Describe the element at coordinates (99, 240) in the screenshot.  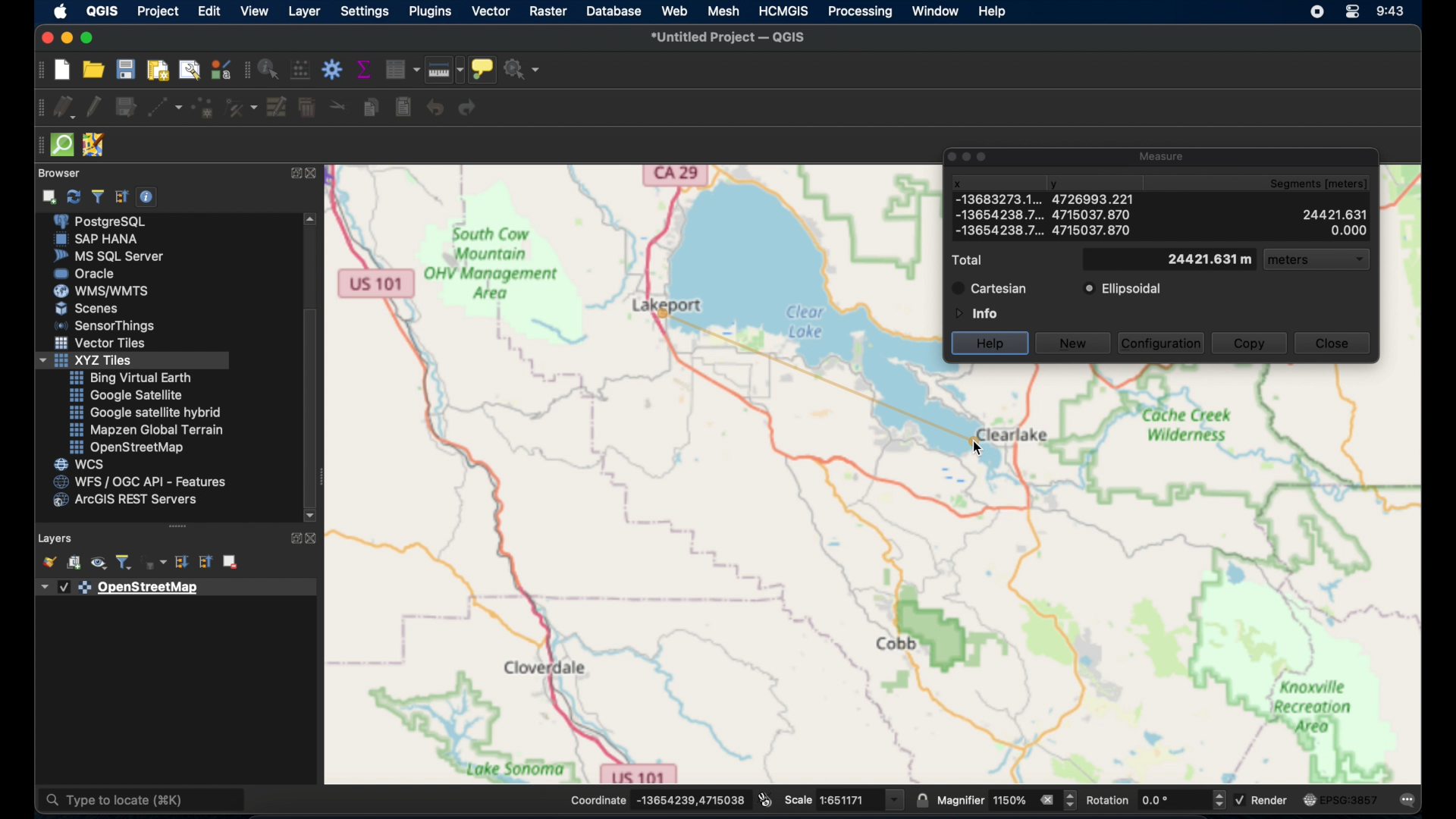
I see `sap hana` at that location.